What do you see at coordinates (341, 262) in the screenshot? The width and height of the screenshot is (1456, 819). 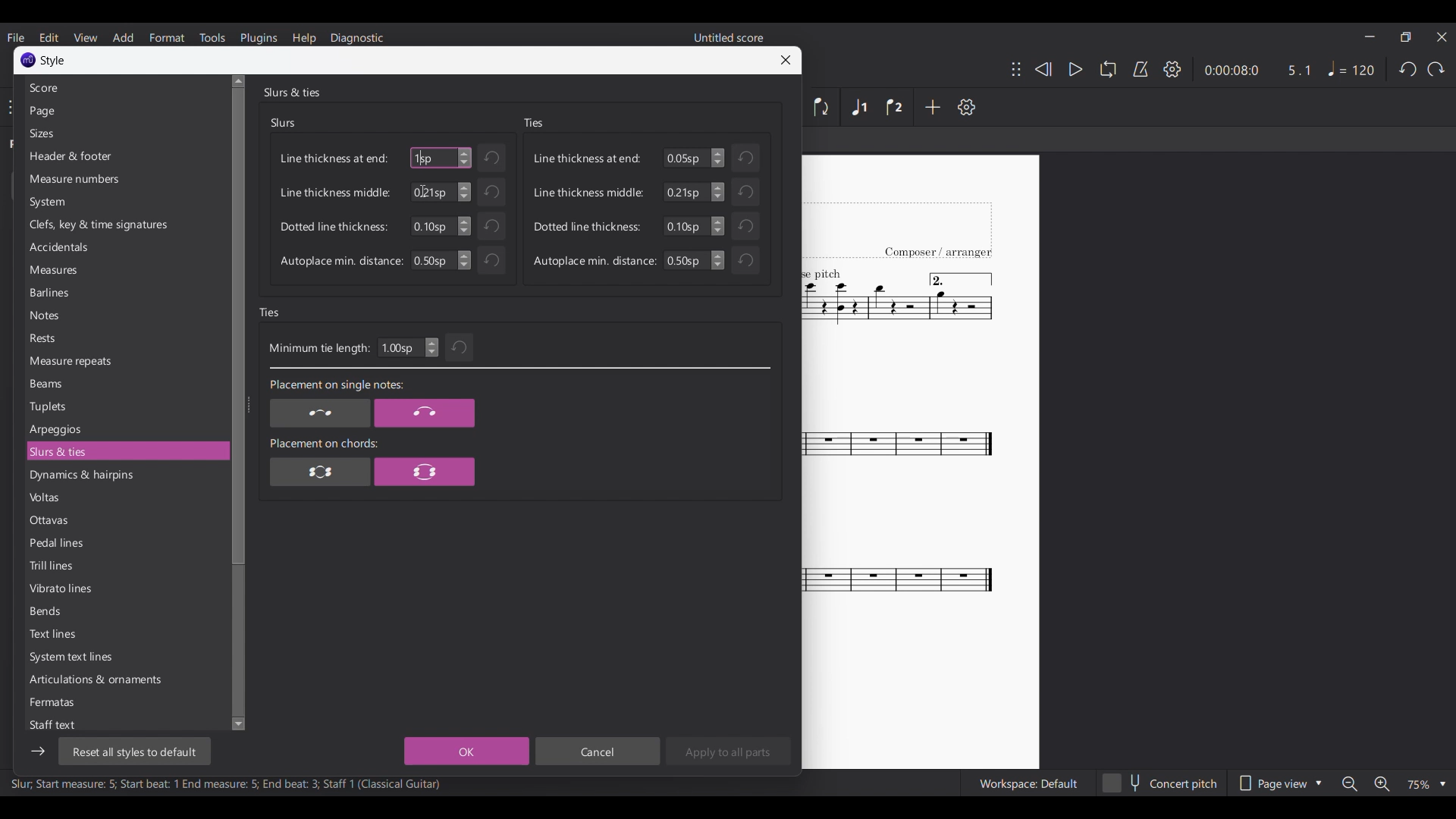 I see `Autoplace min. distance` at bounding box center [341, 262].